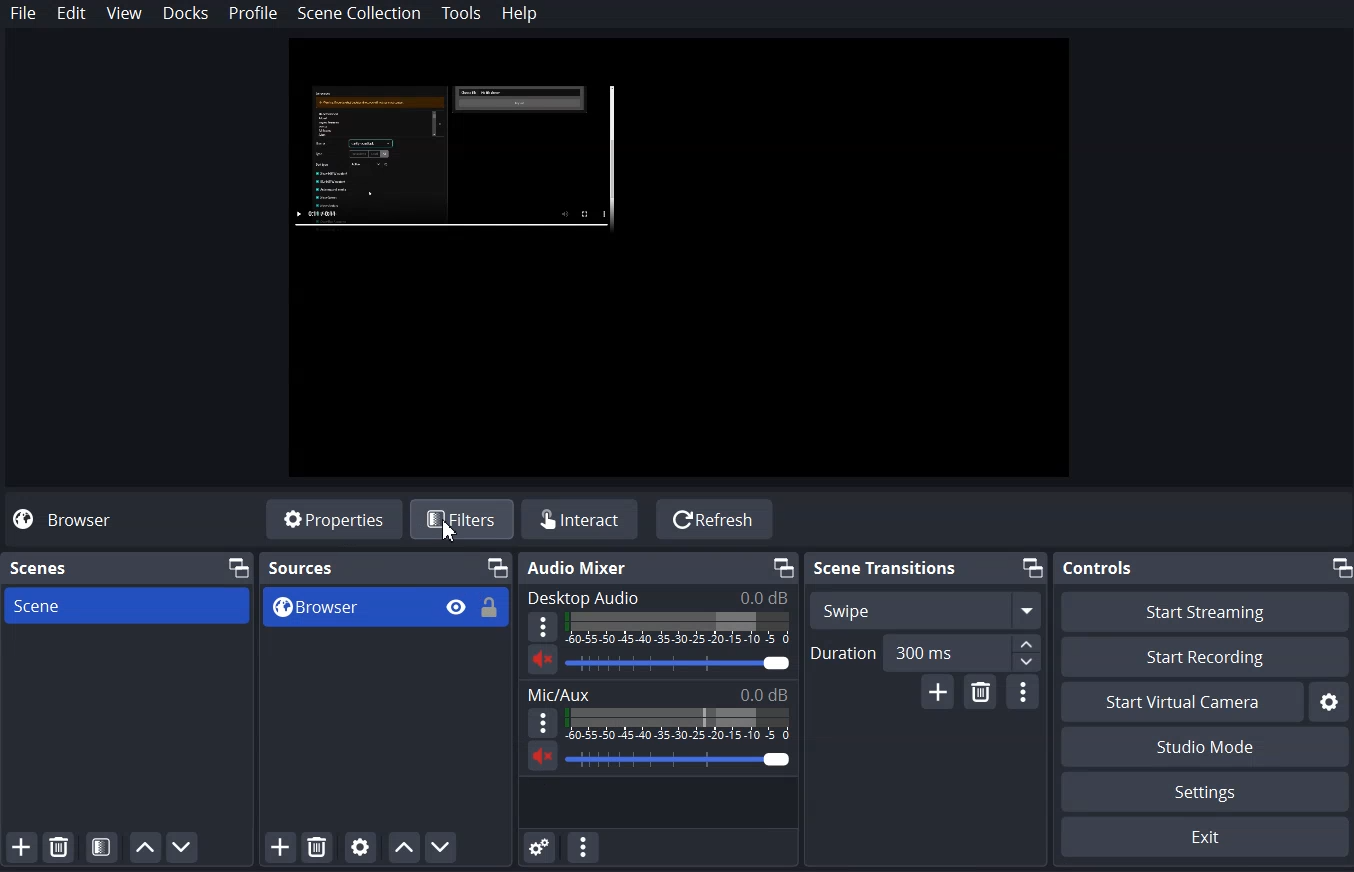 The image size is (1354, 872). What do you see at coordinates (185, 13) in the screenshot?
I see `Docks` at bounding box center [185, 13].